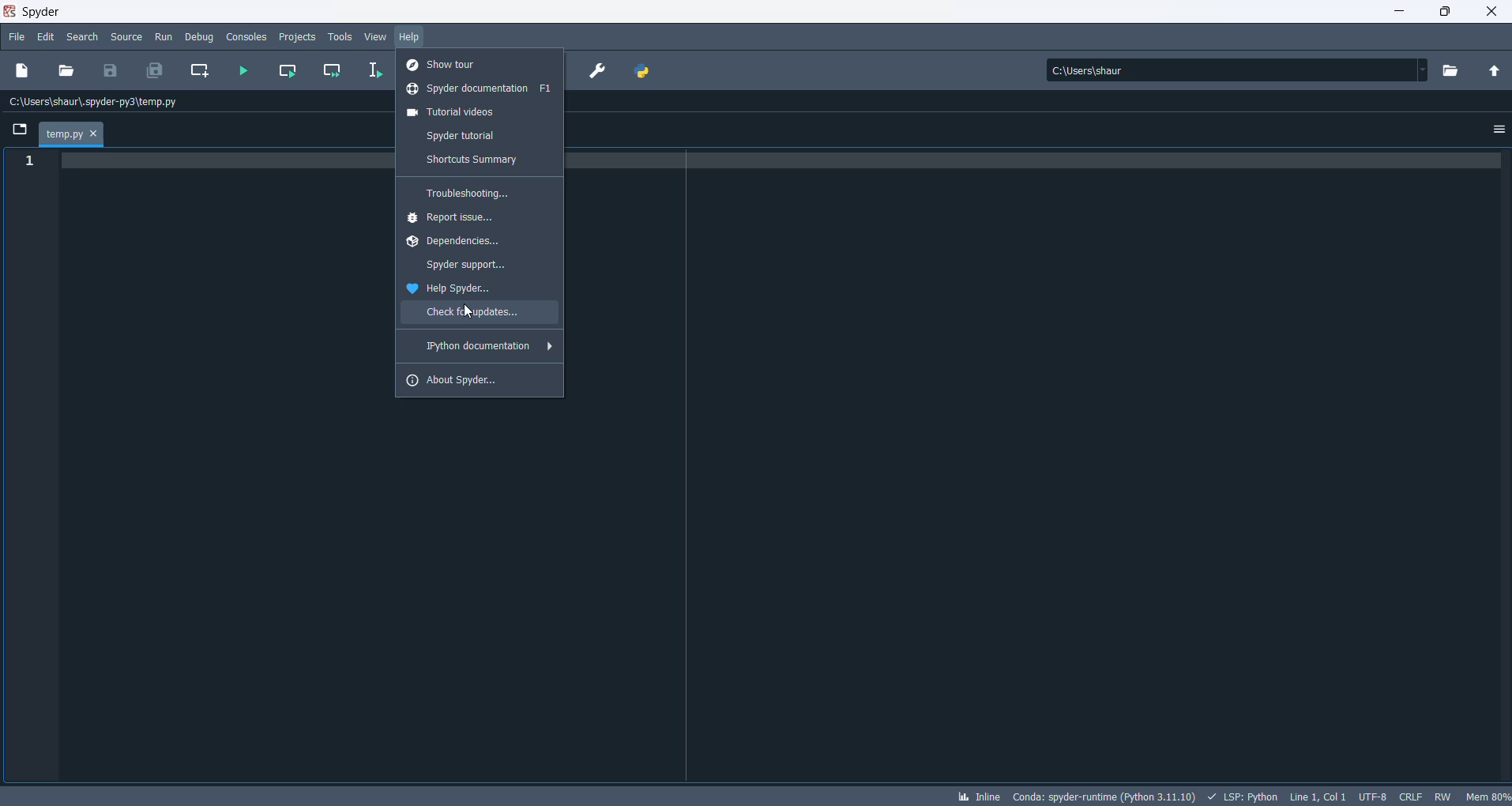 This screenshot has width=1512, height=806. Describe the element at coordinates (109, 70) in the screenshot. I see `save file` at that location.